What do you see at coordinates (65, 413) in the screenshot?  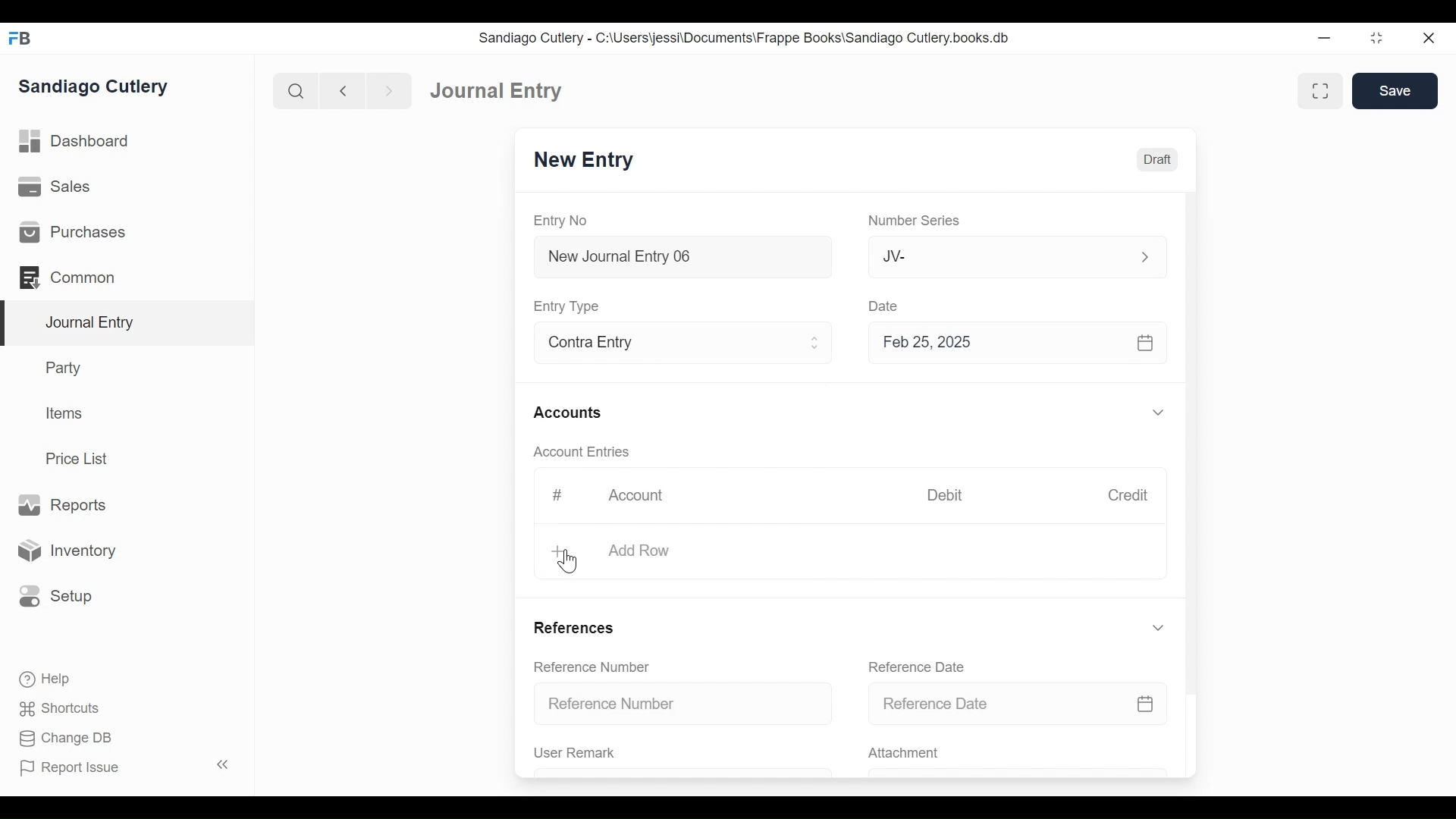 I see `Items` at bounding box center [65, 413].